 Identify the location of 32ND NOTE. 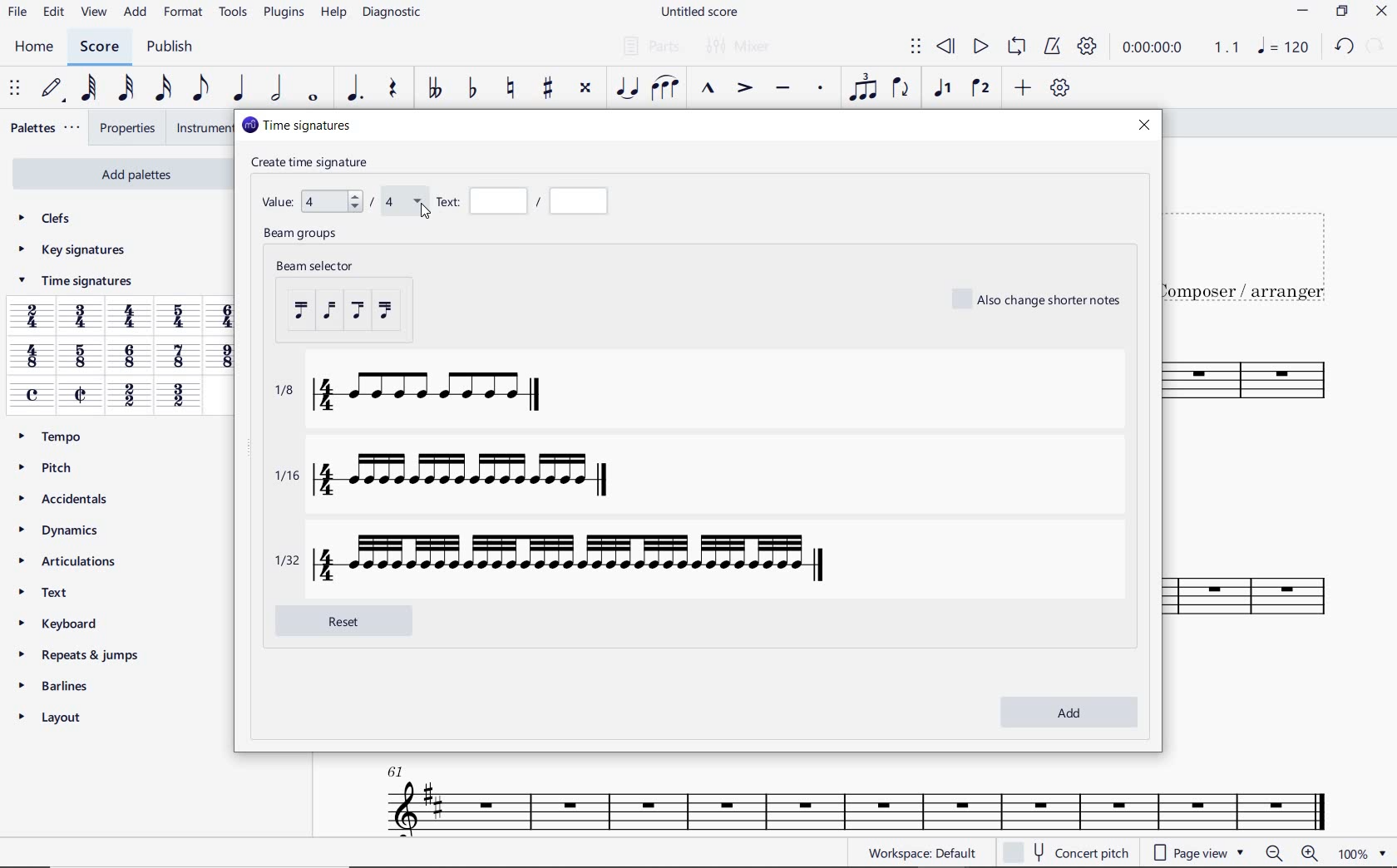
(126, 89).